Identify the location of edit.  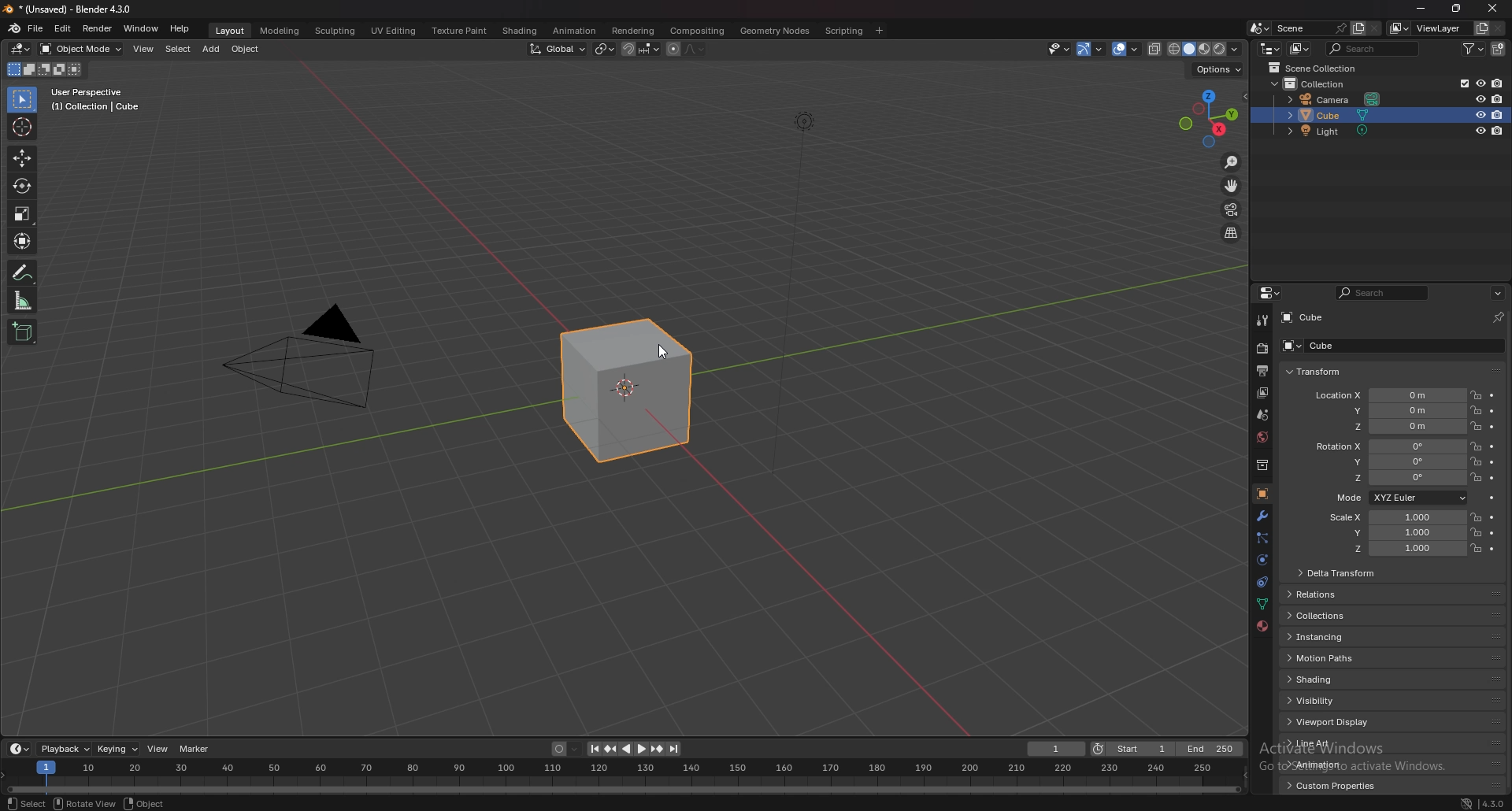
(63, 30).